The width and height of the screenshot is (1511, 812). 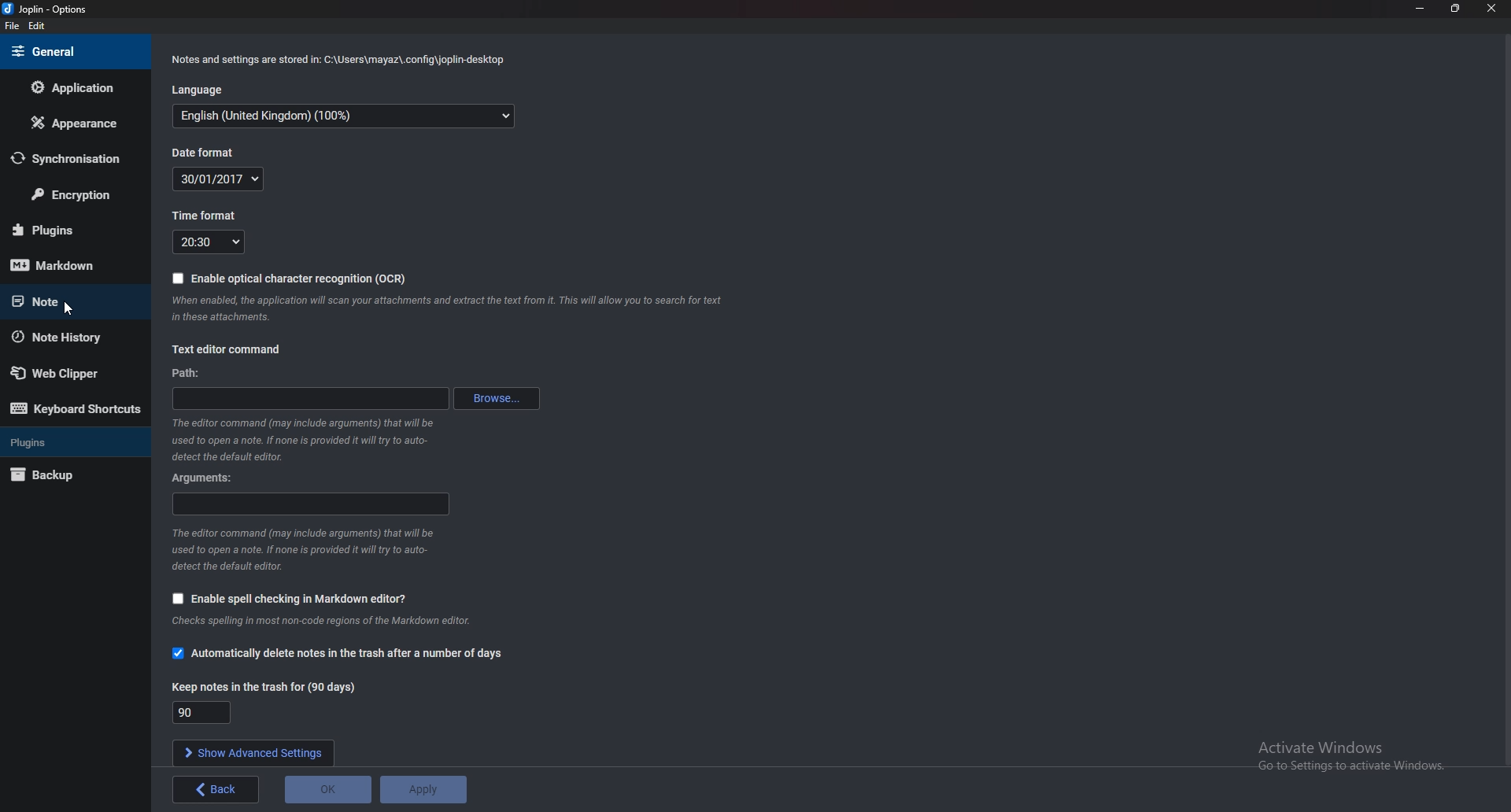 I want to click on Language, so click(x=211, y=88).